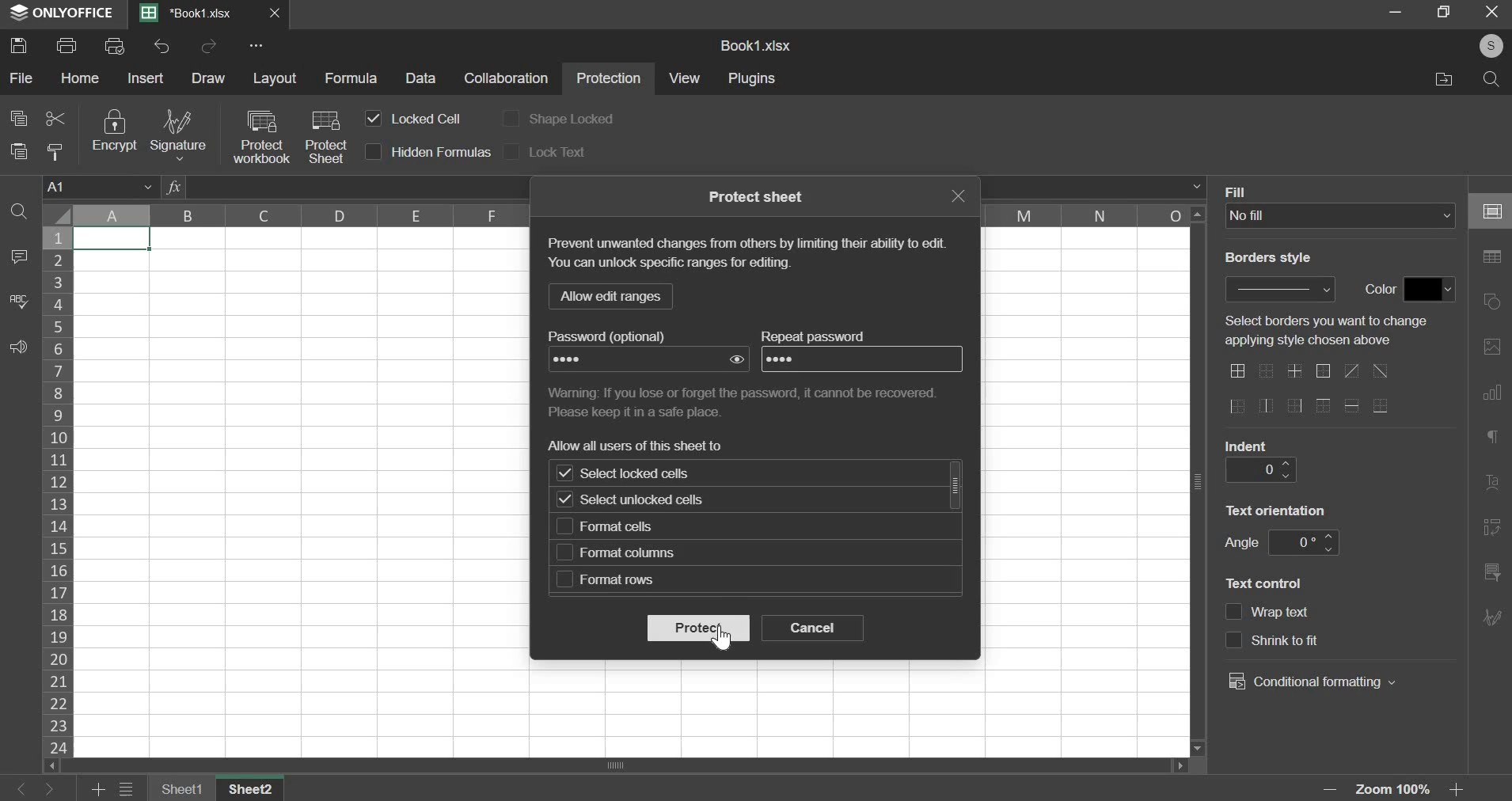  What do you see at coordinates (609, 296) in the screenshot?
I see `llow edit range` at bounding box center [609, 296].